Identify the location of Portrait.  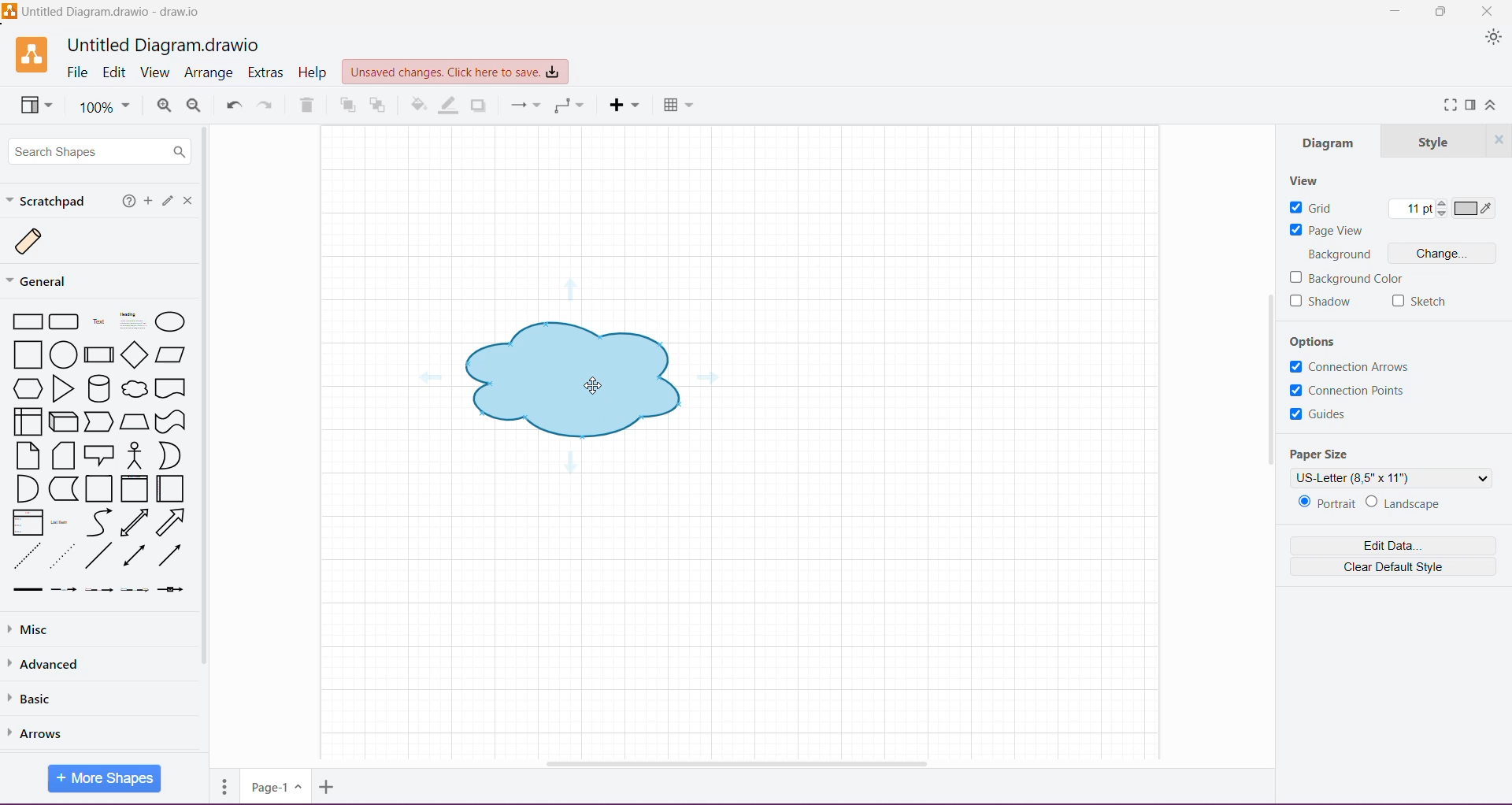
(1328, 503).